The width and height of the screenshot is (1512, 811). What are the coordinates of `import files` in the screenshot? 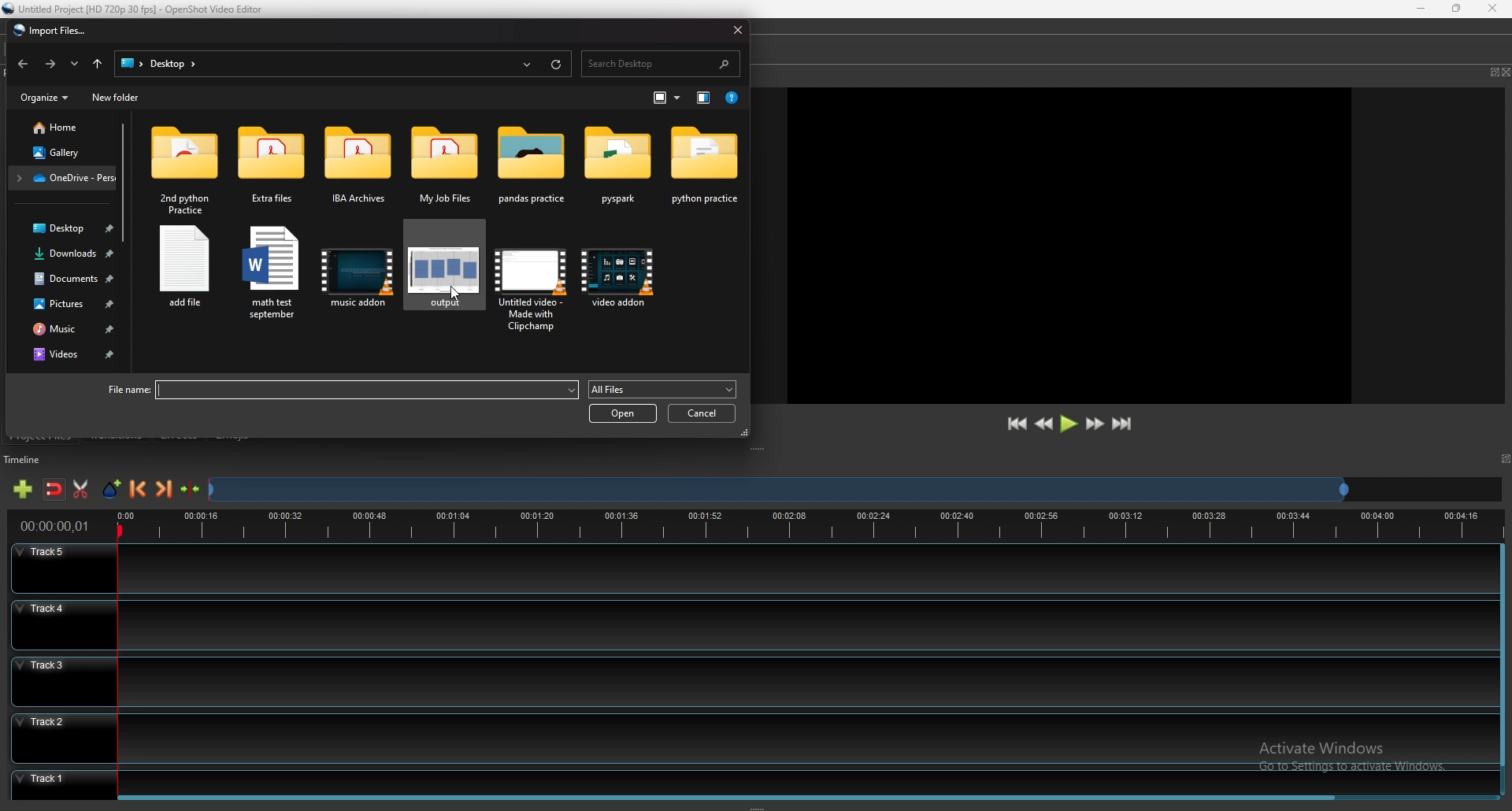 It's located at (49, 30).